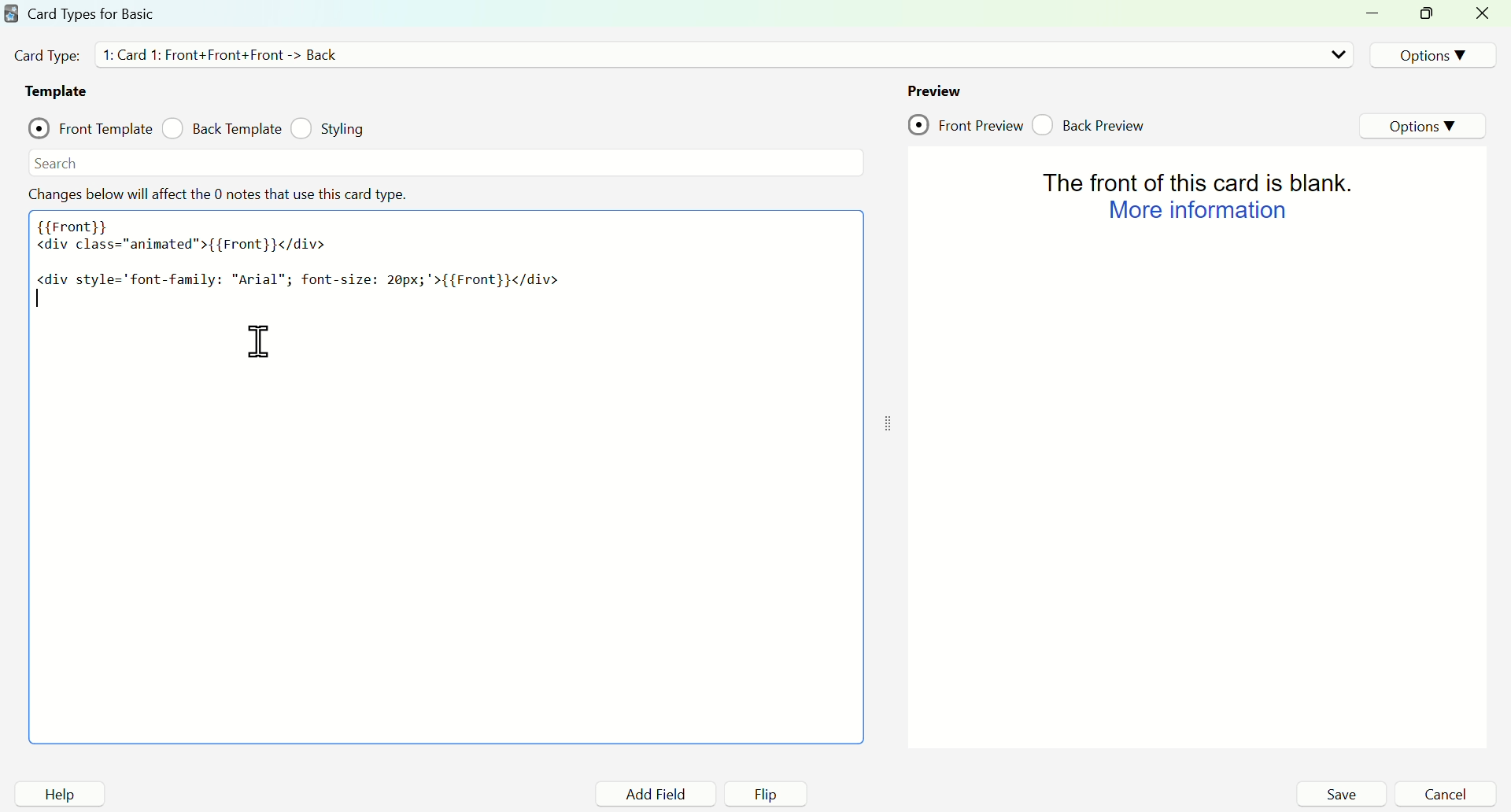 This screenshot has width=1511, height=812. Describe the element at coordinates (221, 128) in the screenshot. I see `Back Template` at that location.